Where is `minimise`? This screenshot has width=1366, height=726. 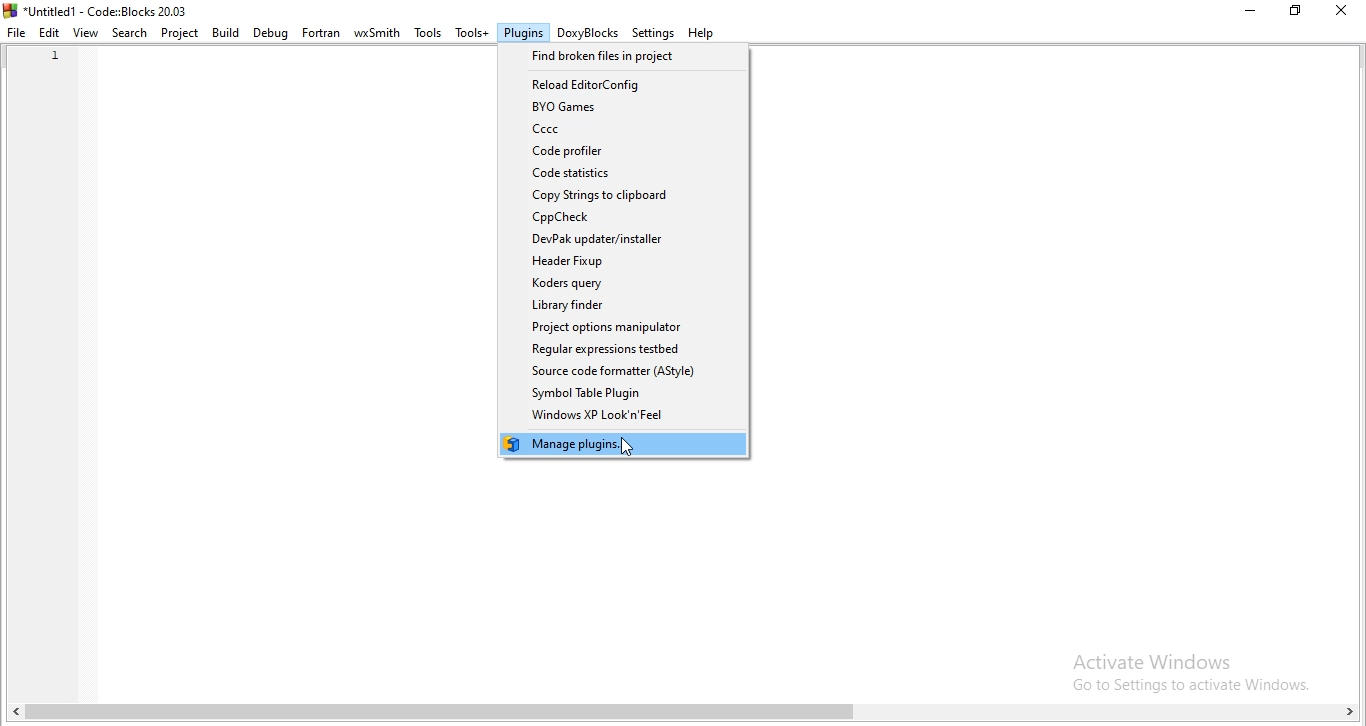 minimise is located at coordinates (1245, 9).